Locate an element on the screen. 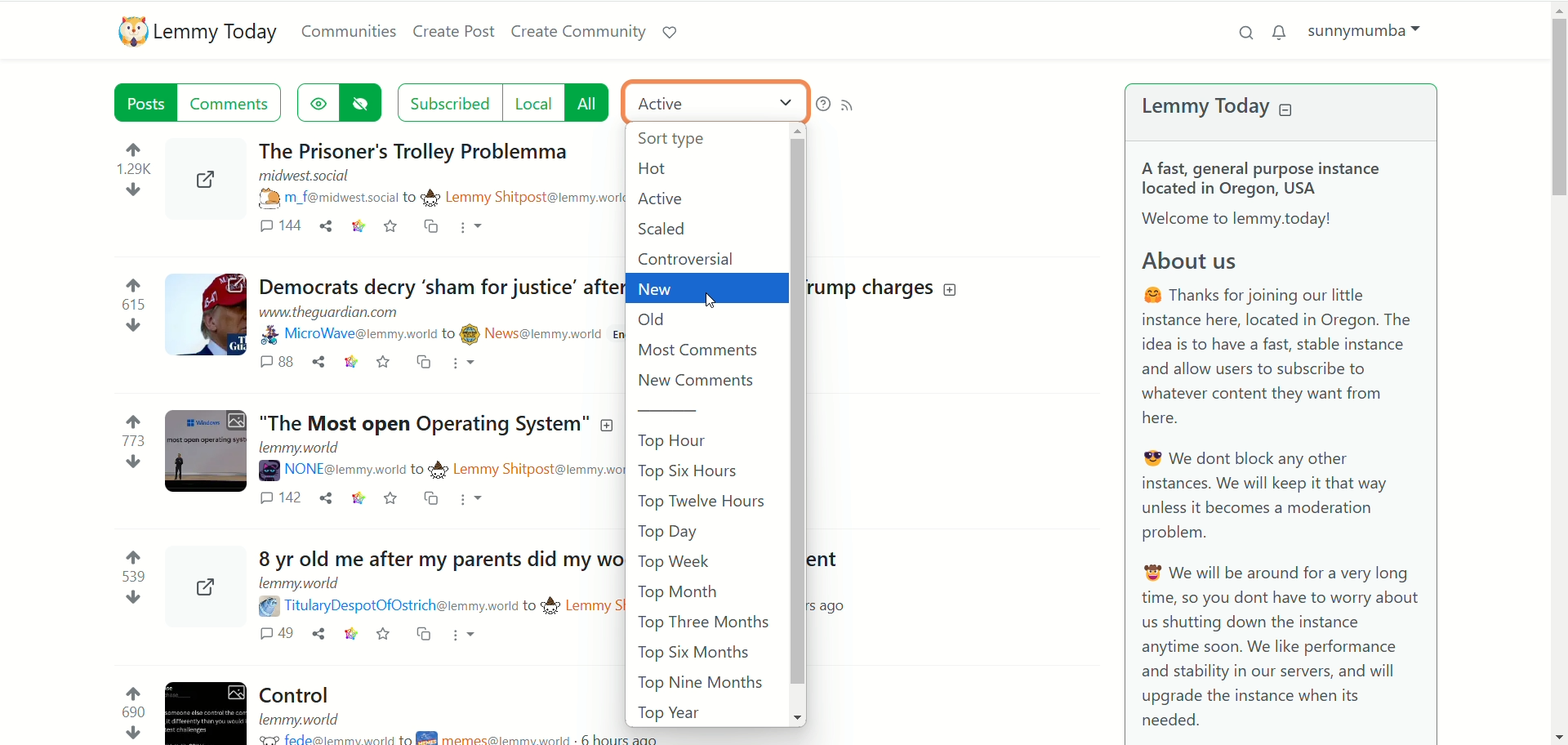  fede@lemmy.world to memes@lemmy.world is located at coordinates (418, 738).